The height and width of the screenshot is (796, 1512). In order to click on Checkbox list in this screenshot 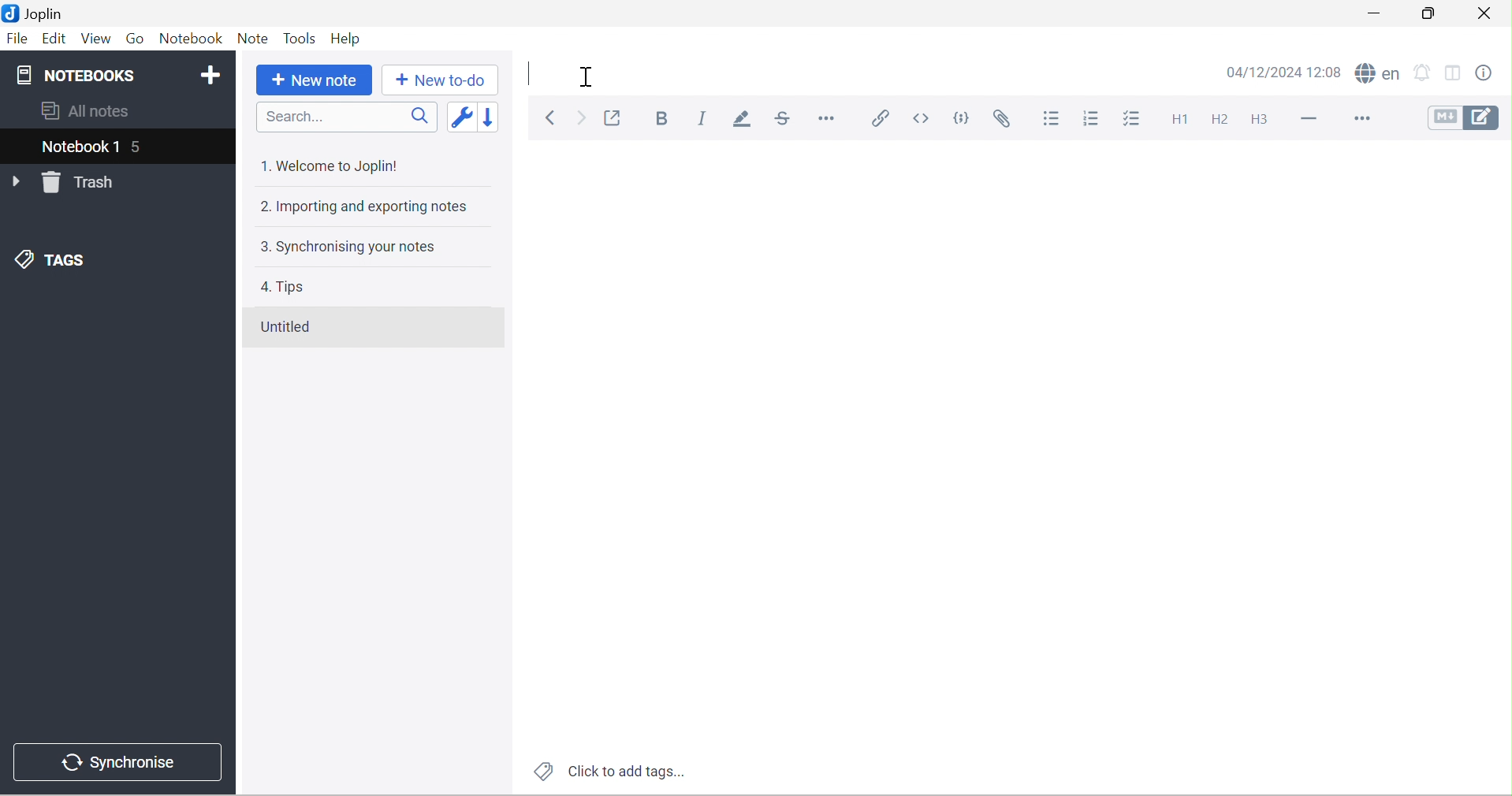, I will do `click(1130, 118)`.